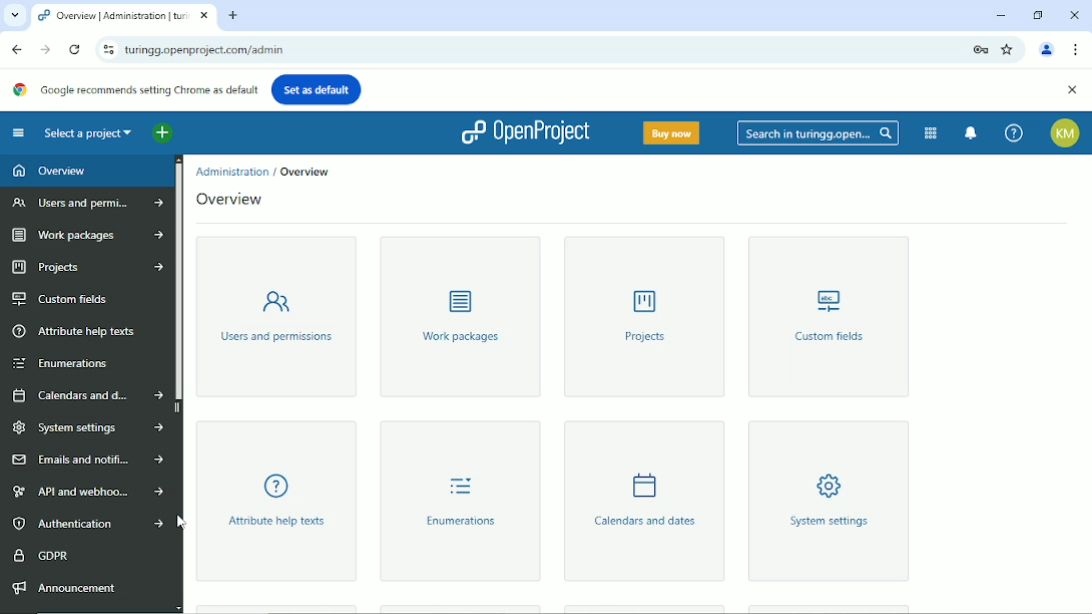  I want to click on Select a project, so click(88, 133).